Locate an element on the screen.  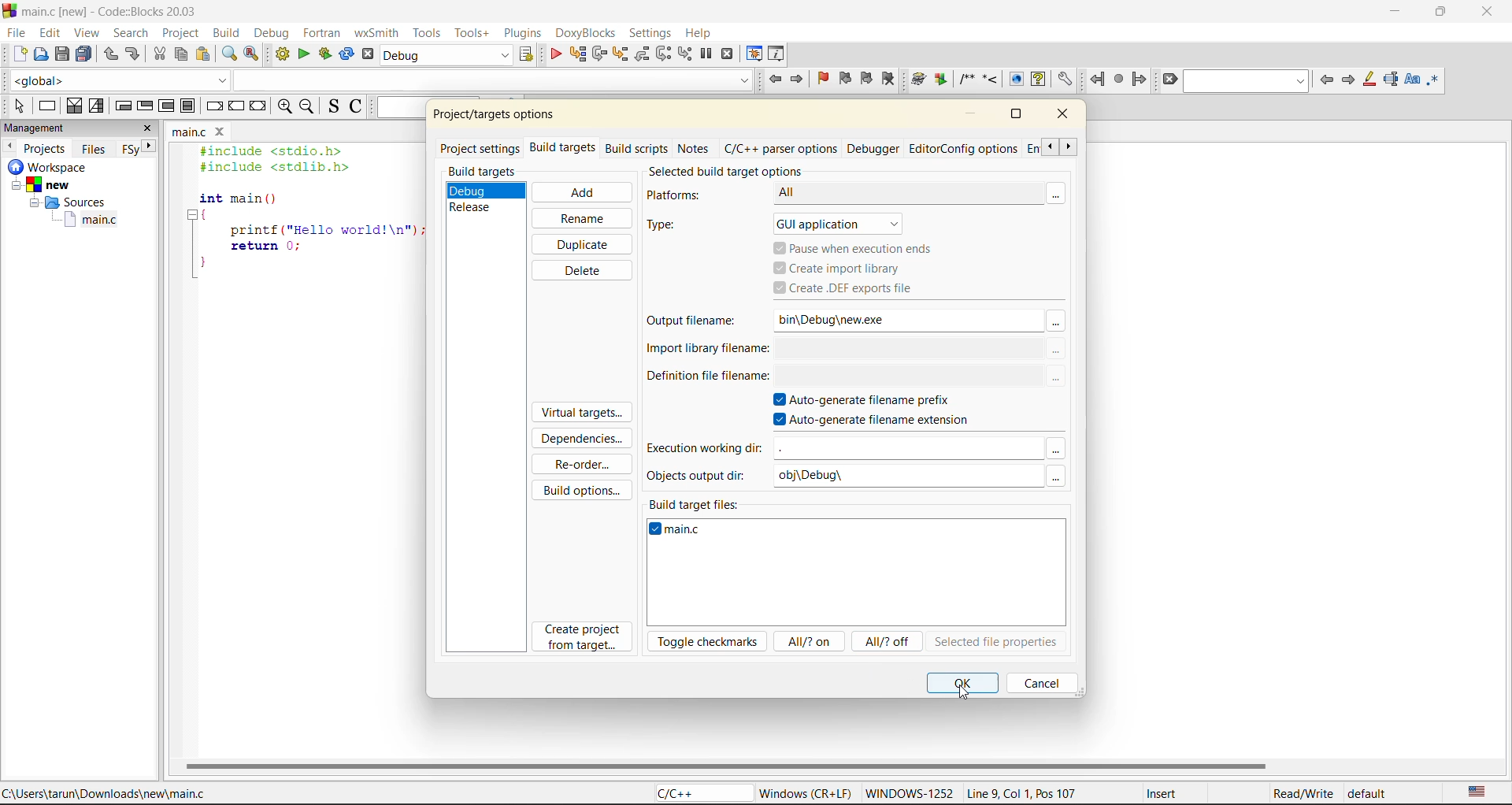
virtual targets is located at coordinates (581, 414).